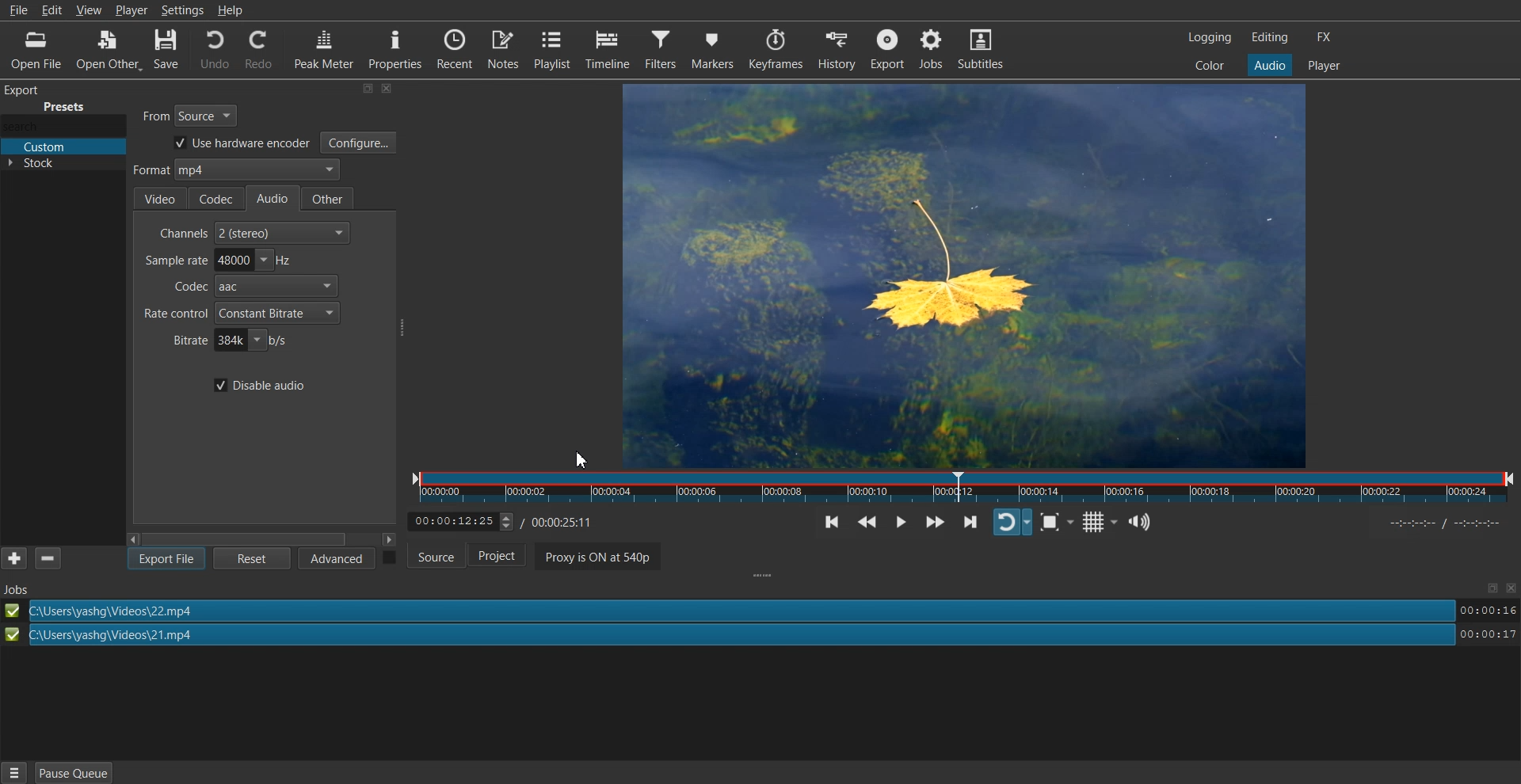 This screenshot has width=1521, height=784. What do you see at coordinates (608, 48) in the screenshot?
I see `Timeline` at bounding box center [608, 48].